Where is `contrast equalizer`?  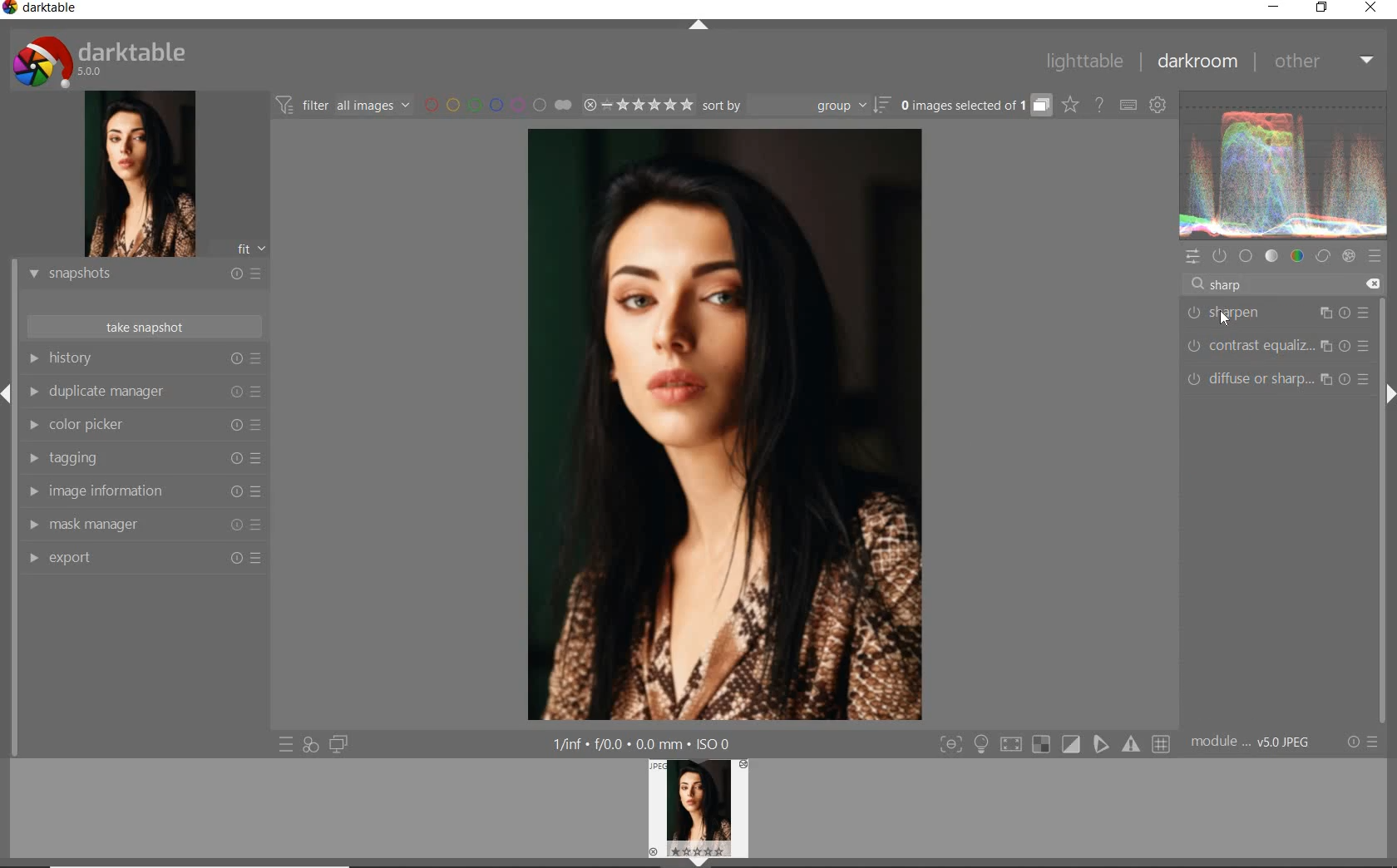 contrast equalizer is located at coordinates (1276, 345).